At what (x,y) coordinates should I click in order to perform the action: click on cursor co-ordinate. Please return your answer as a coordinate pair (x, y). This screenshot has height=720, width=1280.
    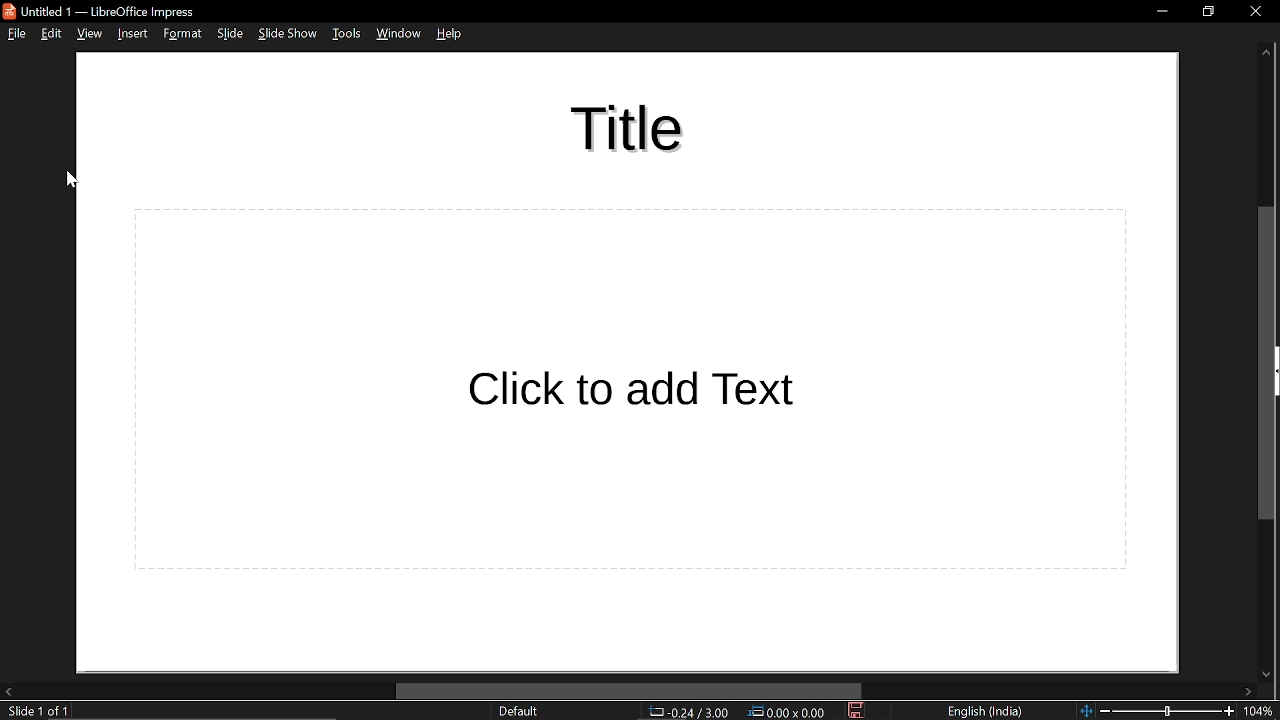
    Looking at the image, I should click on (693, 712).